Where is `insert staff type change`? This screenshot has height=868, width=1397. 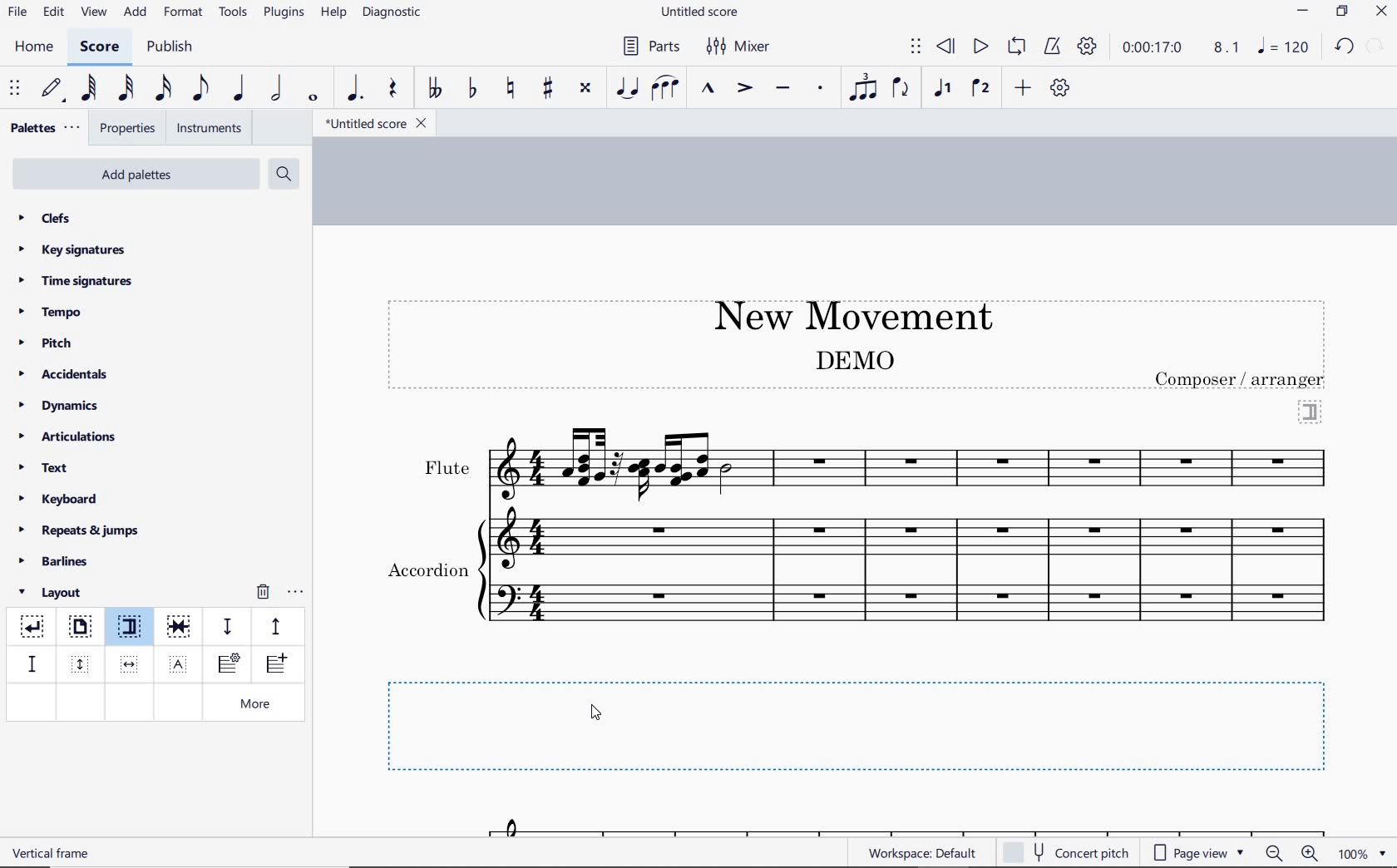
insert staff type change is located at coordinates (229, 664).